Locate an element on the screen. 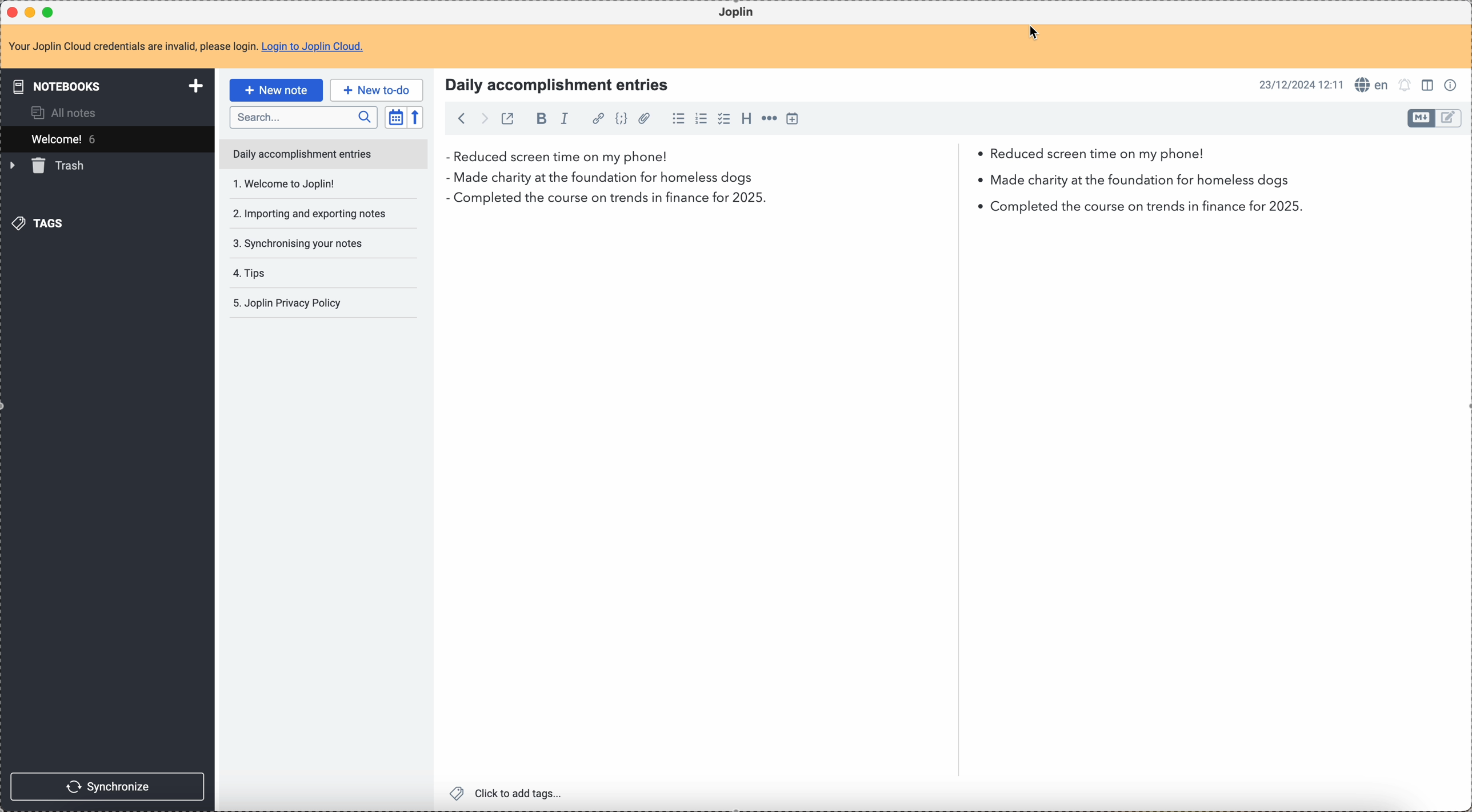  close Joplin is located at coordinates (14, 12).